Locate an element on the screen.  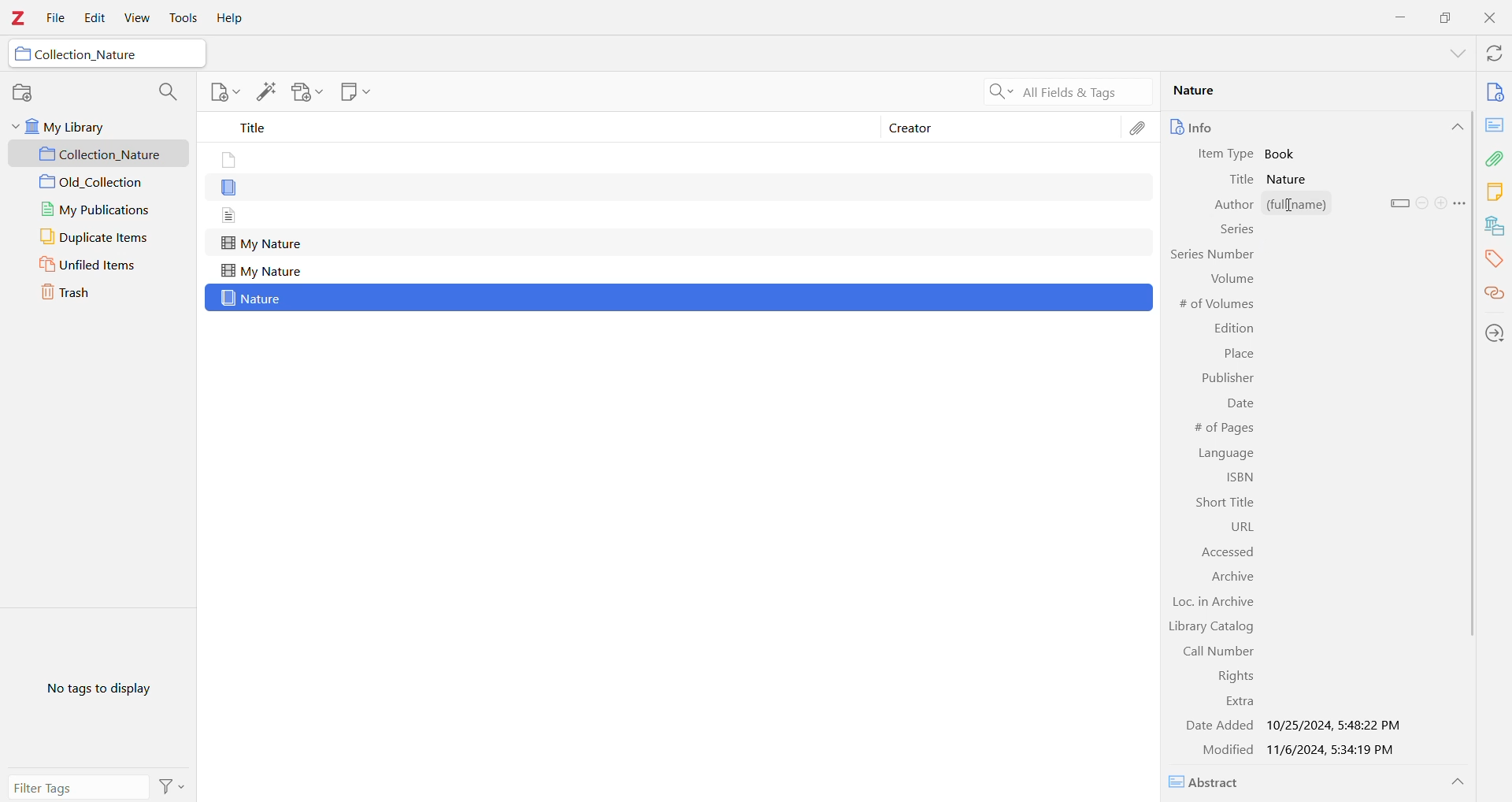
Accessed is located at coordinates (1221, 551).